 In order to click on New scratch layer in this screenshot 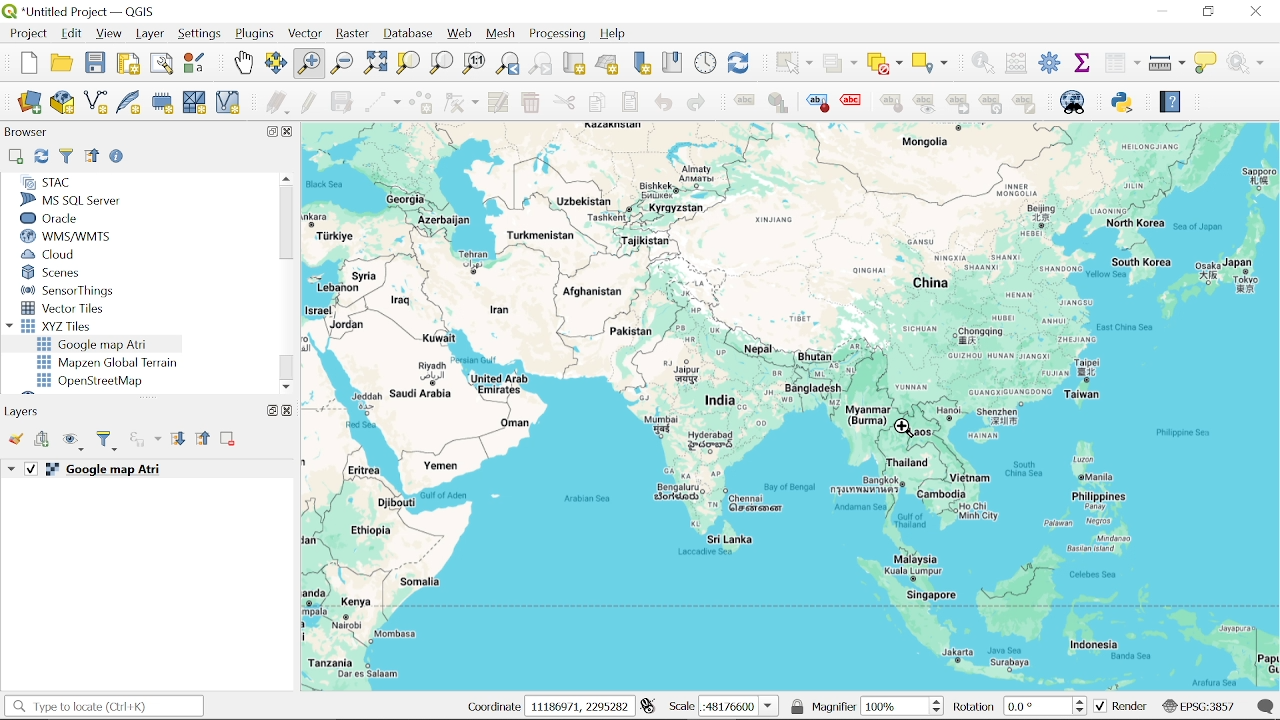, I will do `click(194, 104)`.